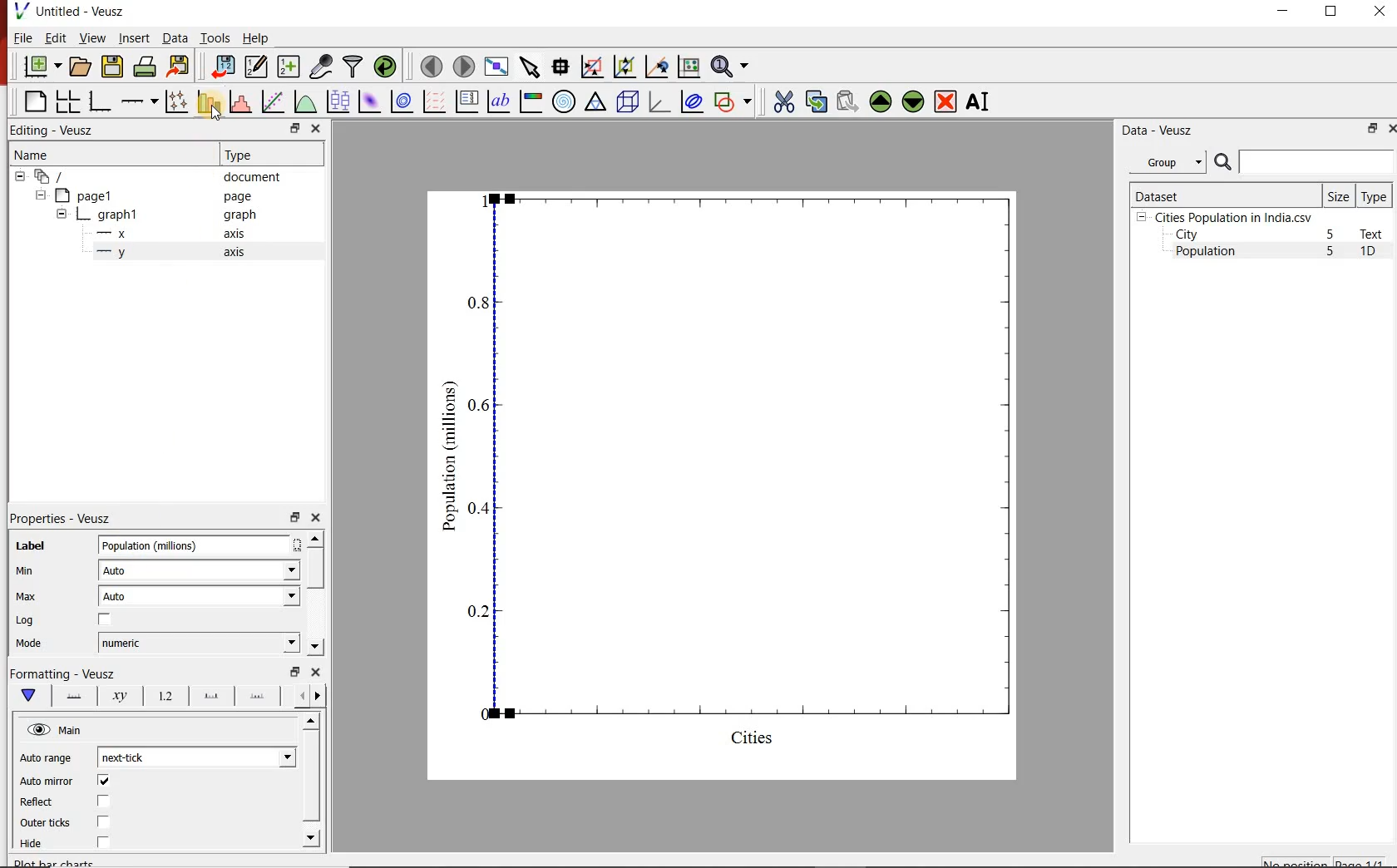 The height and width of the screenshot is (868, 1397). Describe the element at coordinates (73, 698) in the screenshot. I see `Axis line` at that location.